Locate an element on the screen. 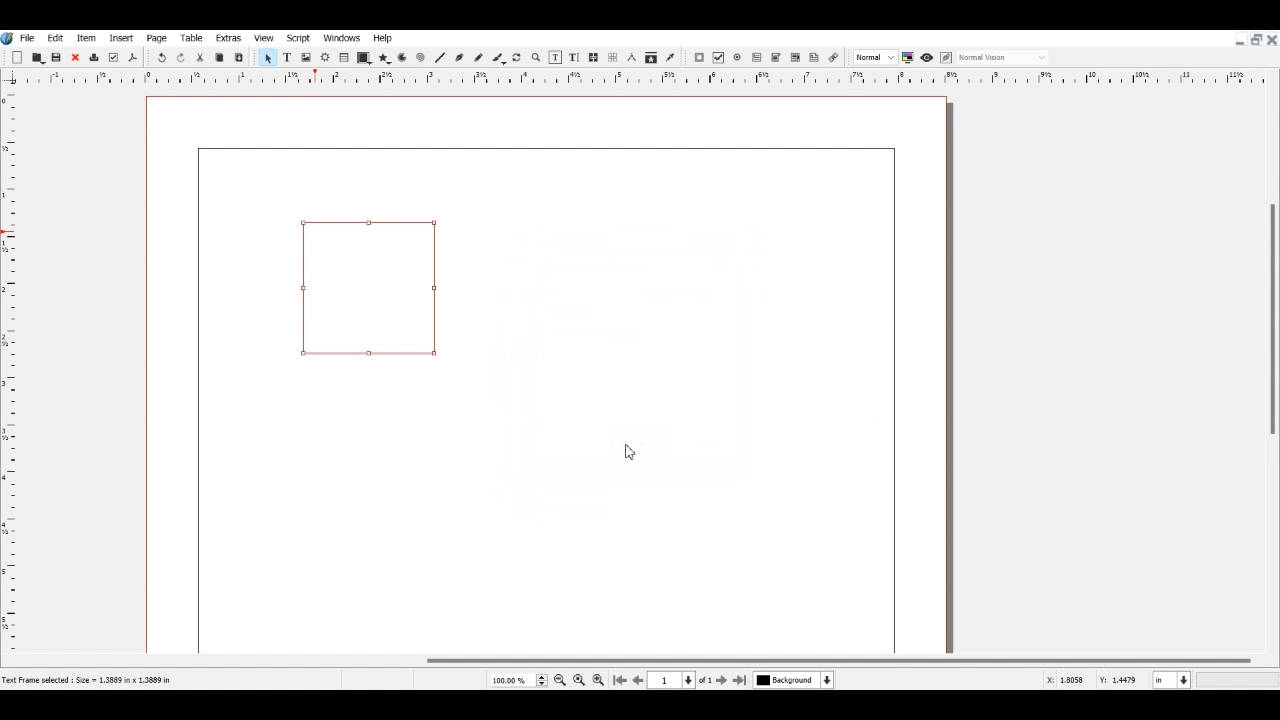  View is located at coordinates (263, 38).